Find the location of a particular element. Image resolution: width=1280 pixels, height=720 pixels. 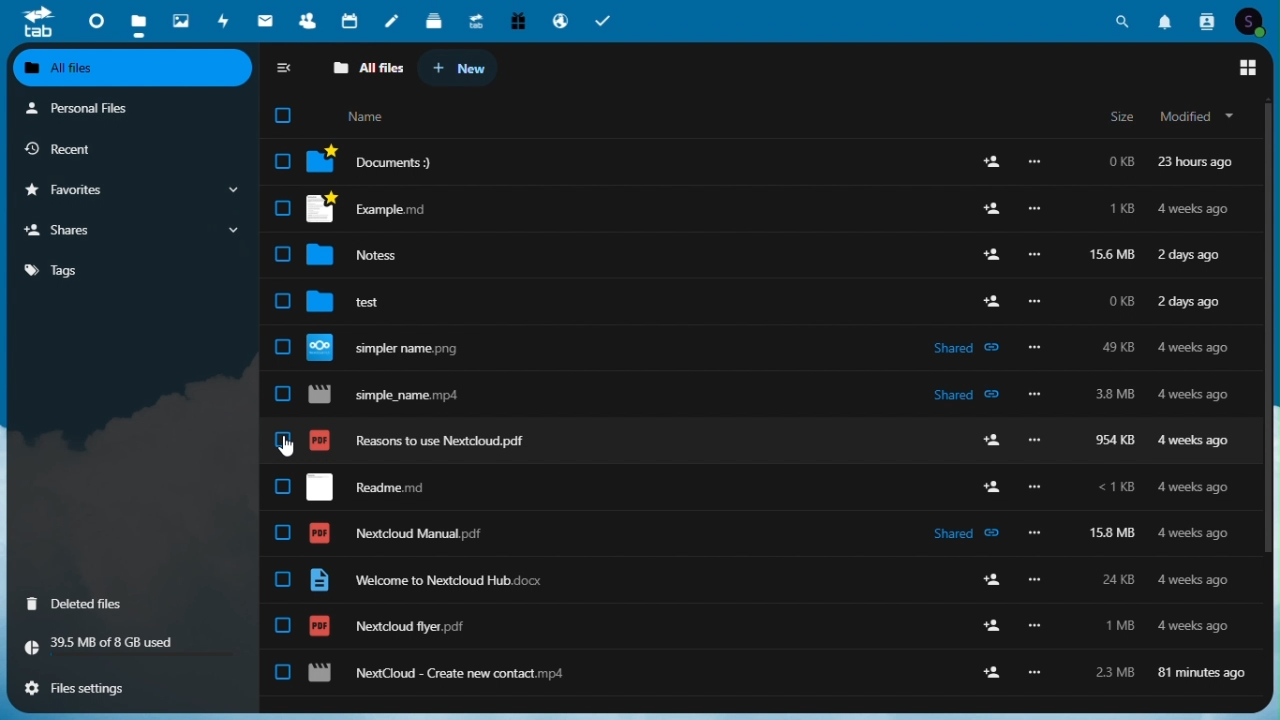

welcome to nextcloud hub.docx is located at coordinates (426, 581).